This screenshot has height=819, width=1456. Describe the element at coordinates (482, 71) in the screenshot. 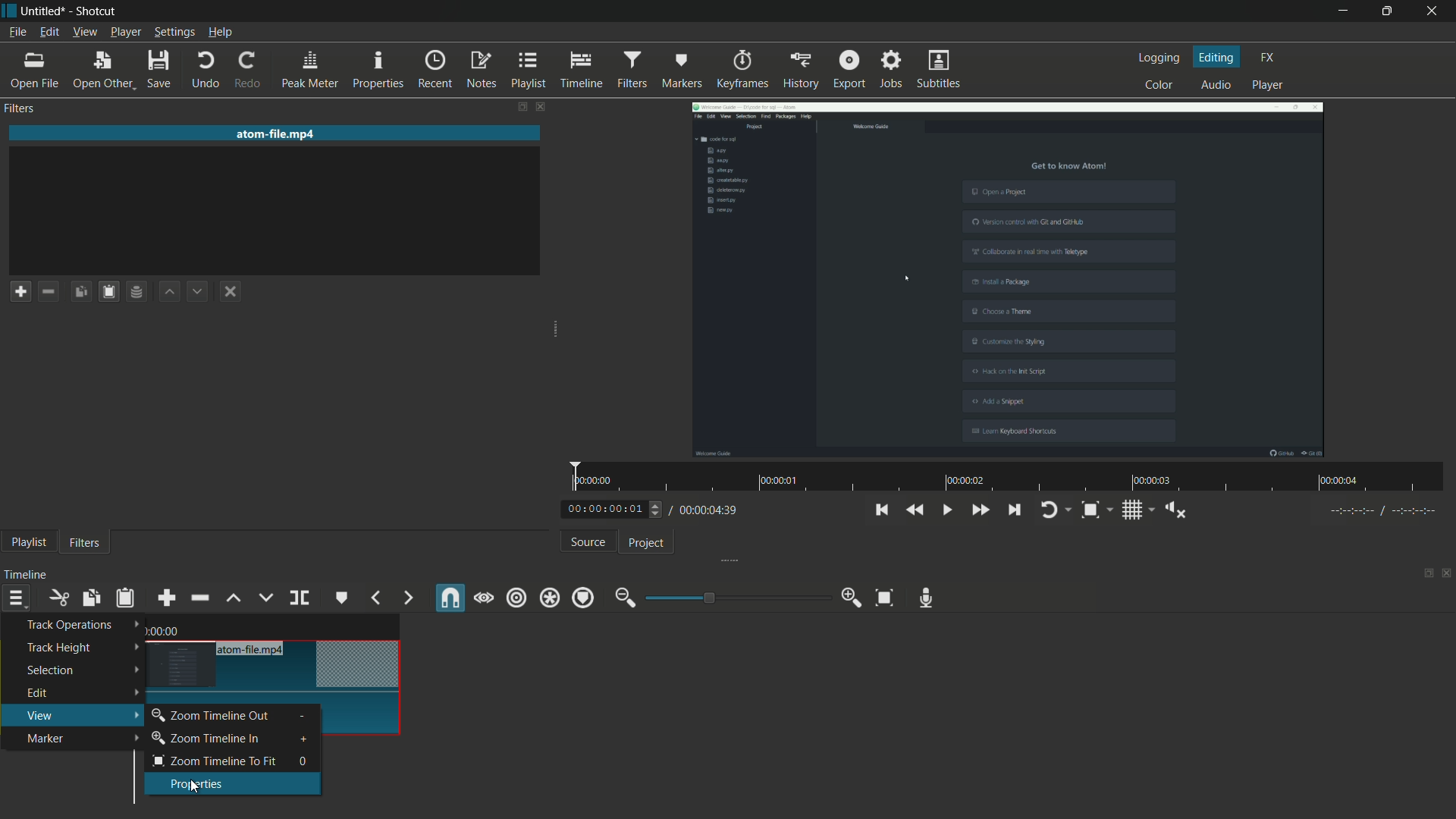

I see `notes` at that location.